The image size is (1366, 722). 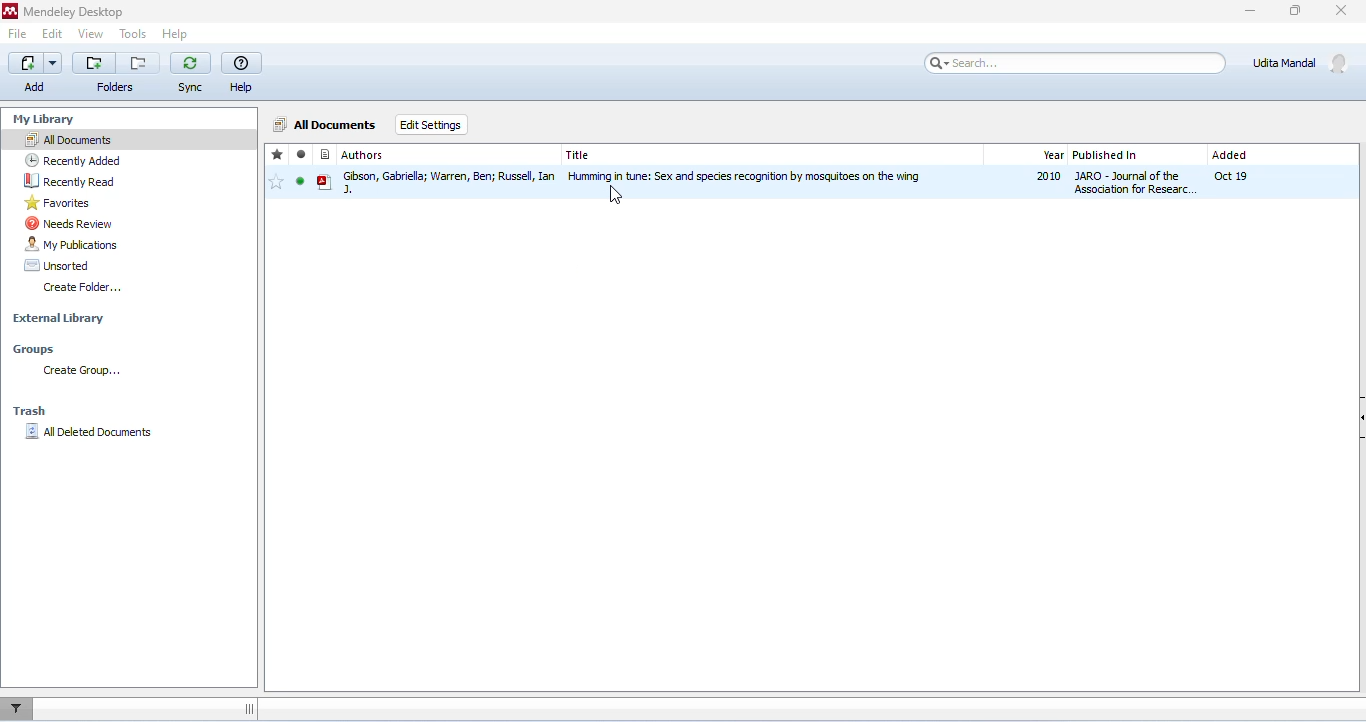 What do you see at coordinates (1230, 156) in the screenshot?
I see `added` at bounding box center [1230, 156].